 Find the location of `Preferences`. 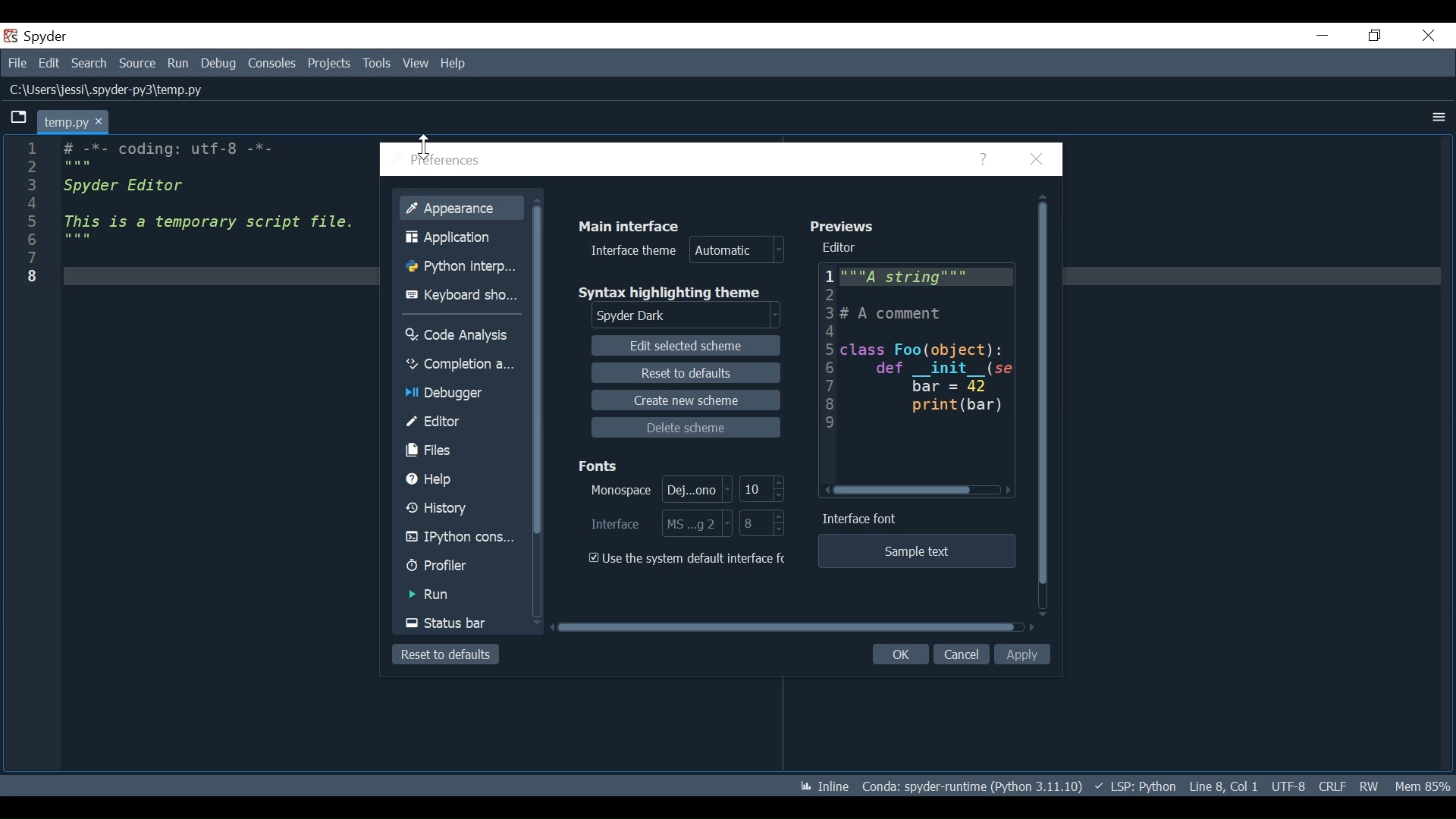

Preferences is located at coordinates (444, 162).